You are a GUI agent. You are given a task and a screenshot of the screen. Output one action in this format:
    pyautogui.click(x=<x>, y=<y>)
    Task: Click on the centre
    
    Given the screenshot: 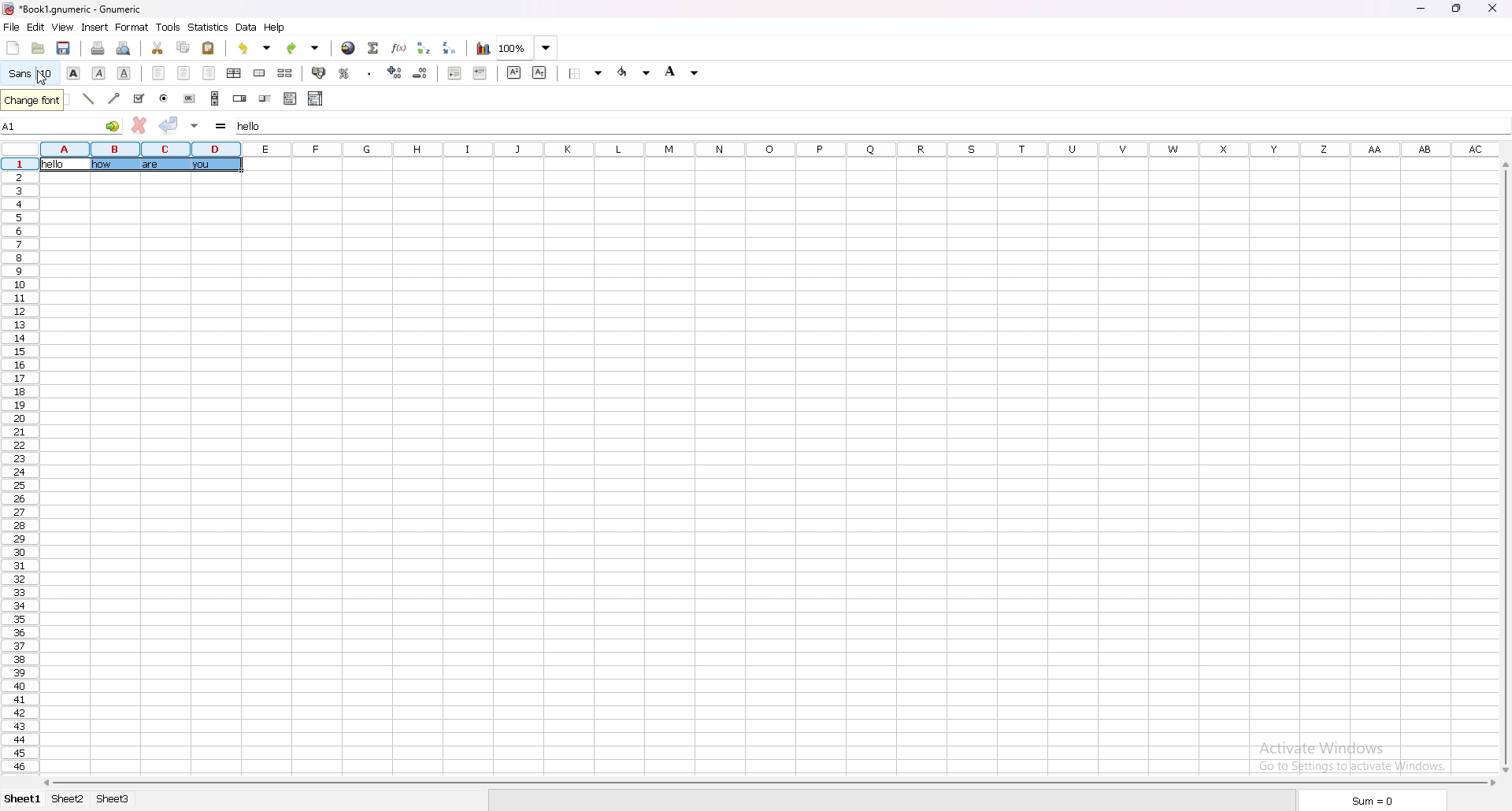 What is the action you would take?
    pyautogui.click(x=183, y=73)
    